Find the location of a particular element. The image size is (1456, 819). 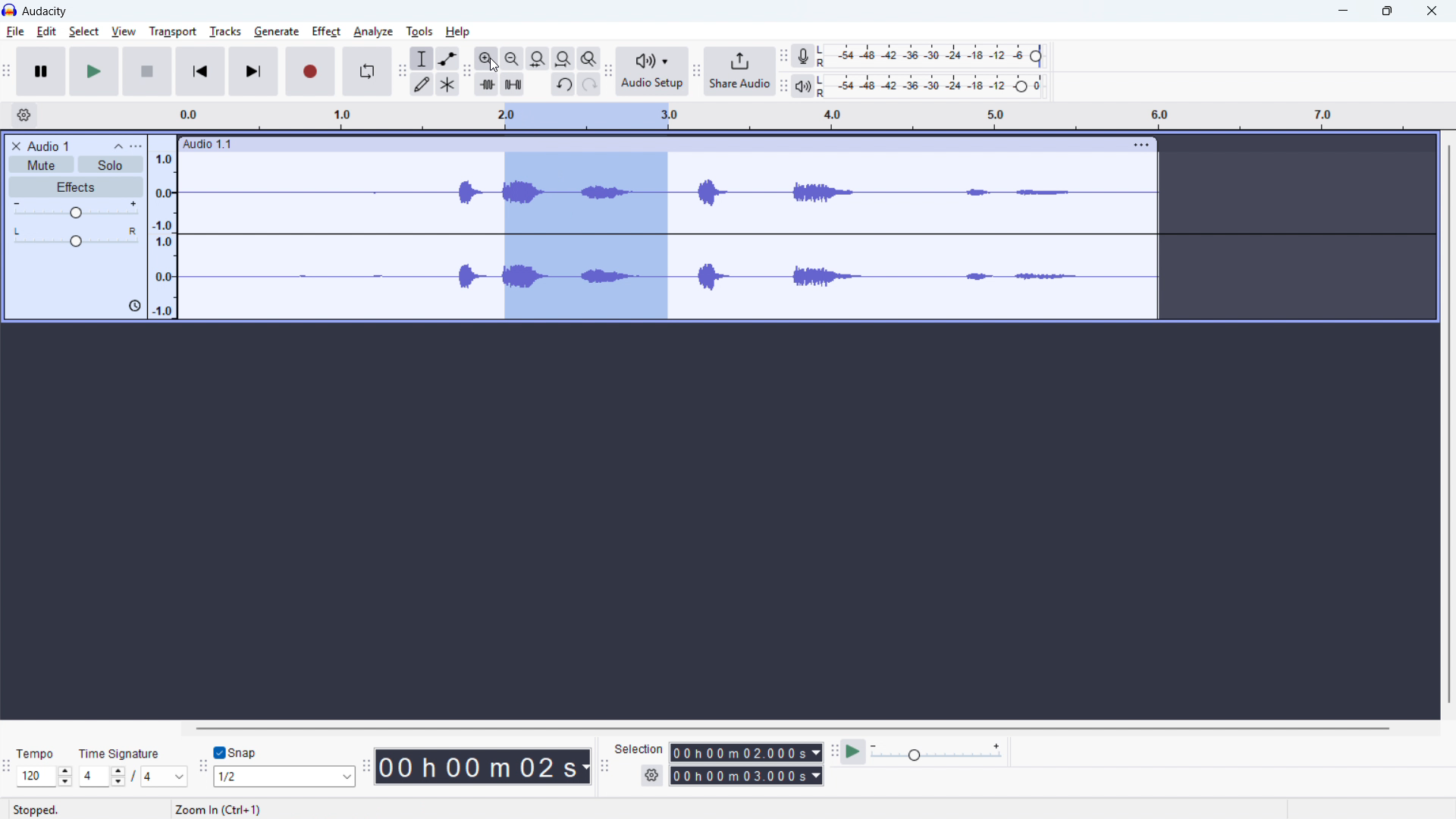

Fit project to width is located at coordinates (563, 58).